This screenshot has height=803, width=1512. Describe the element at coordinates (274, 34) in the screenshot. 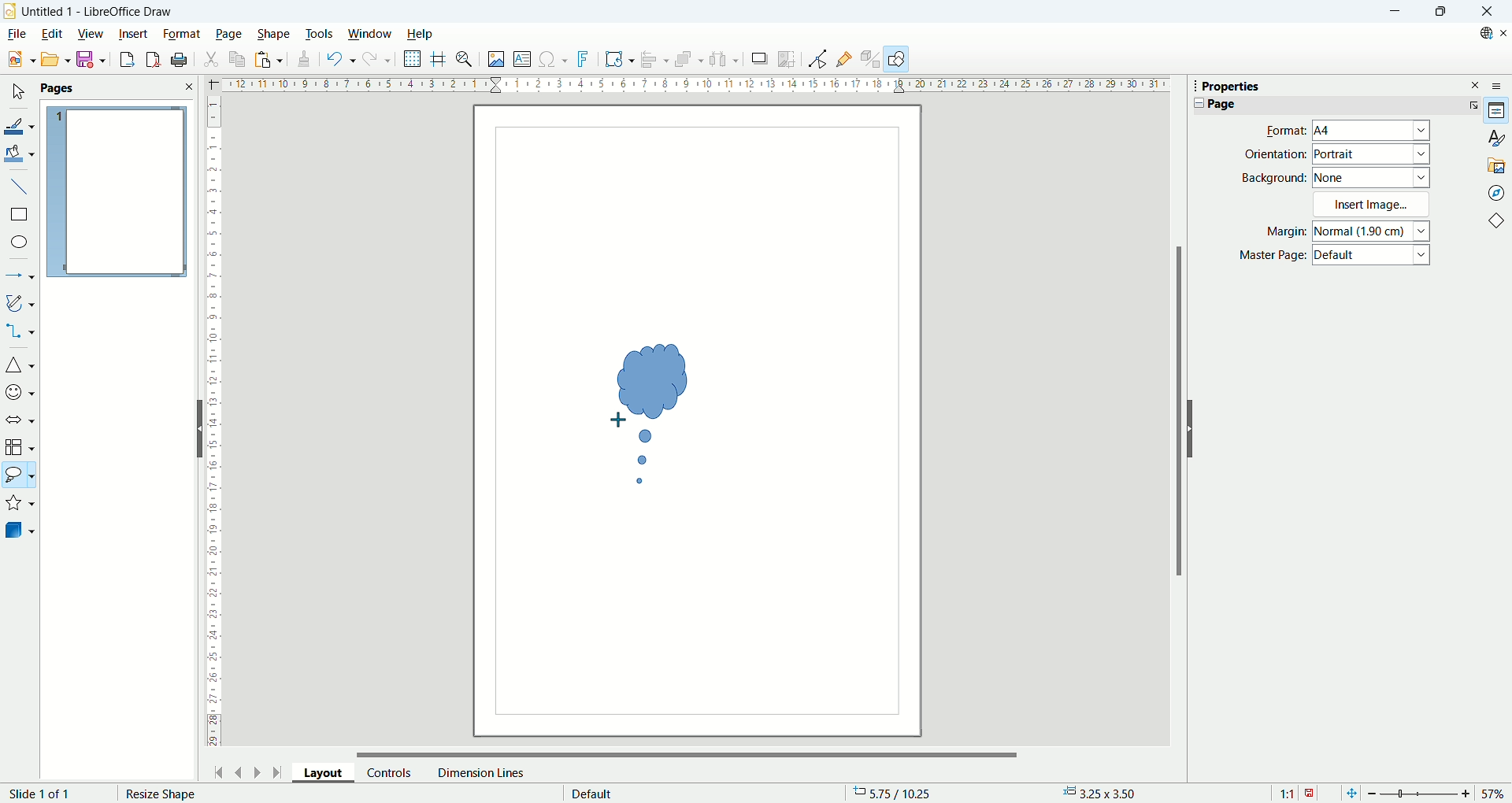

I see `shape` at that location.